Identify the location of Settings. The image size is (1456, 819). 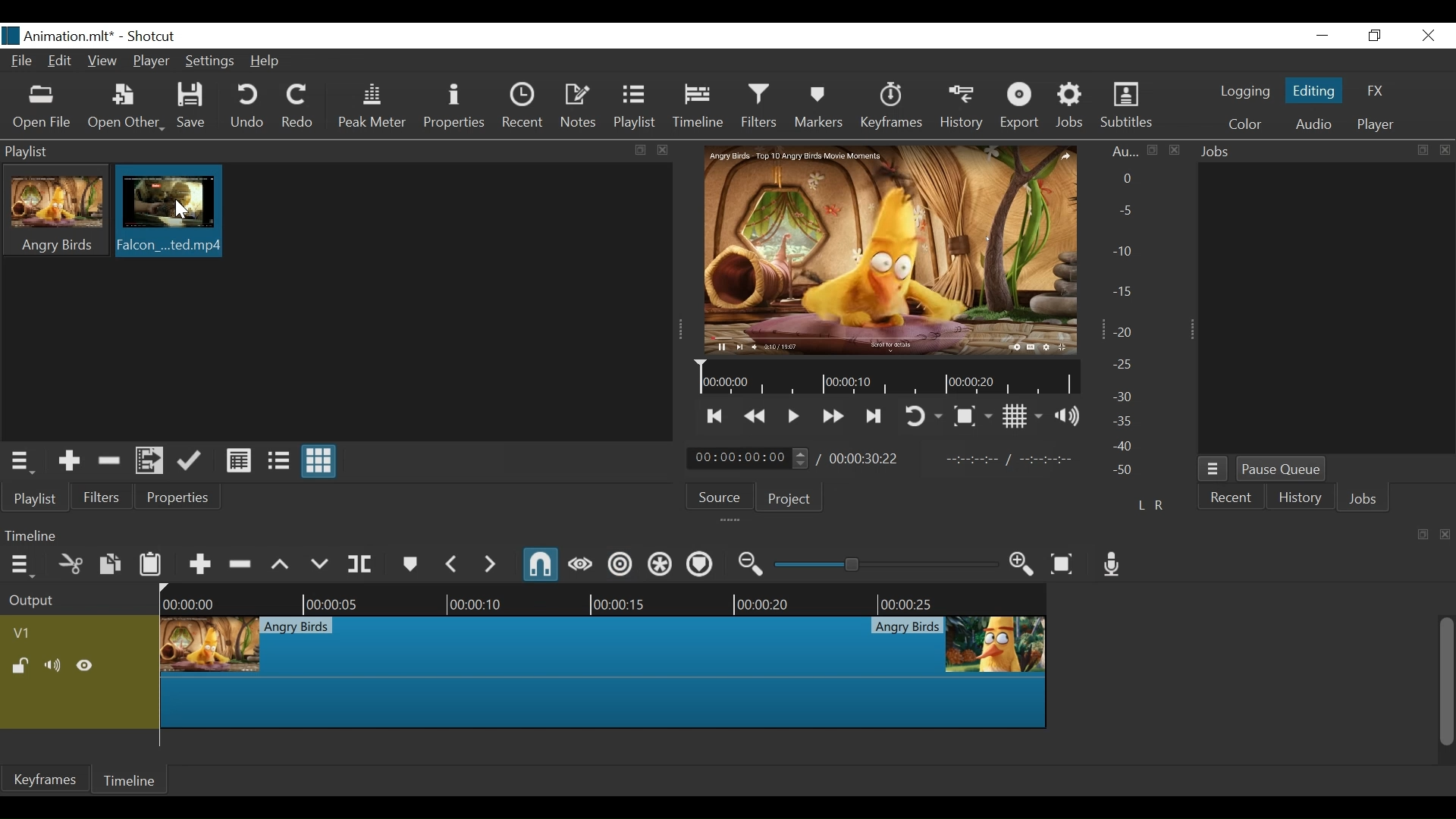
(209, 60).